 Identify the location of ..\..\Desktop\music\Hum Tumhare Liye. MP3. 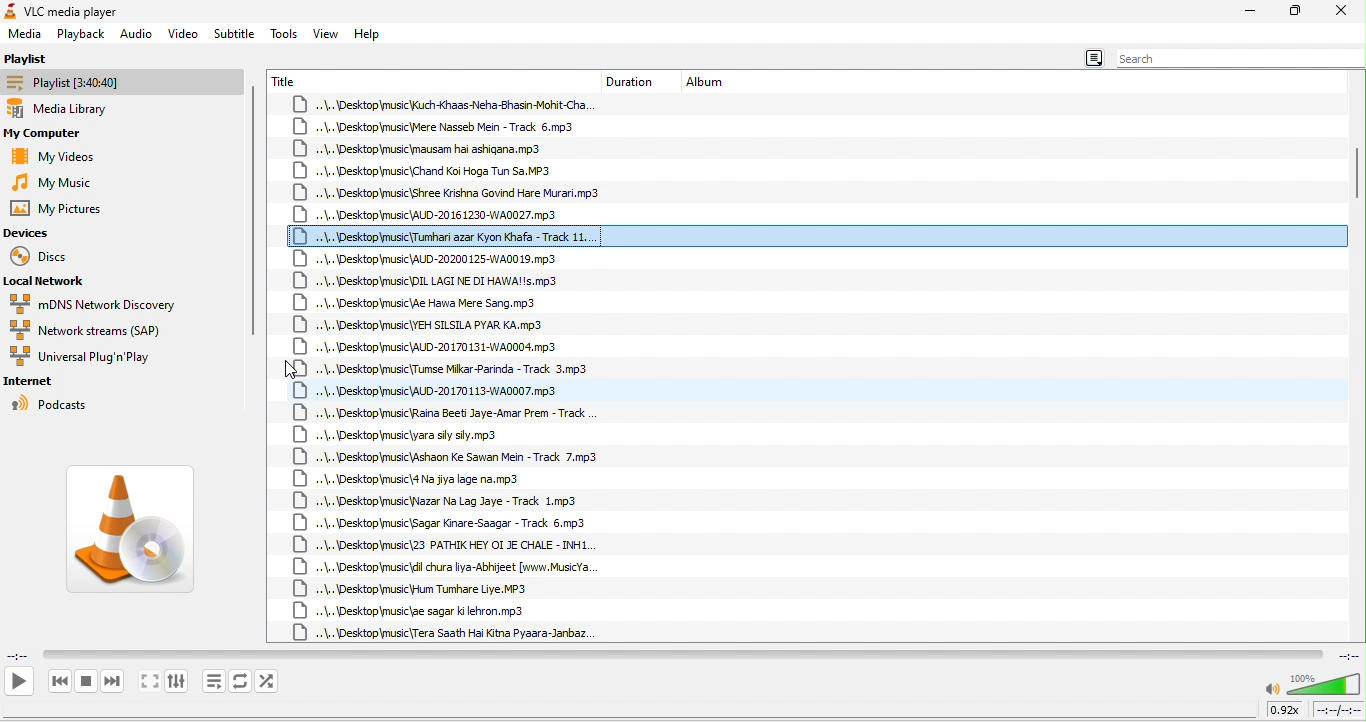
(414, 588).